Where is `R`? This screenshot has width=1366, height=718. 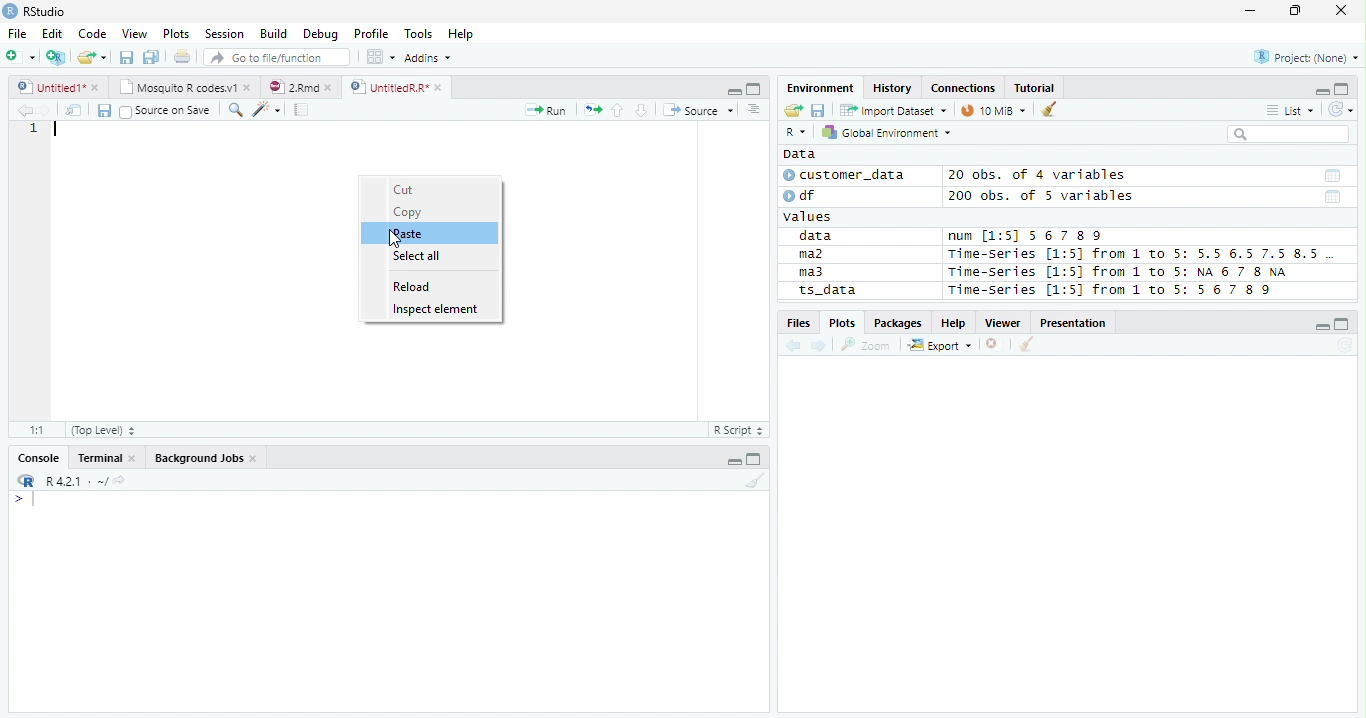 R is located at coordinates (795, 133).